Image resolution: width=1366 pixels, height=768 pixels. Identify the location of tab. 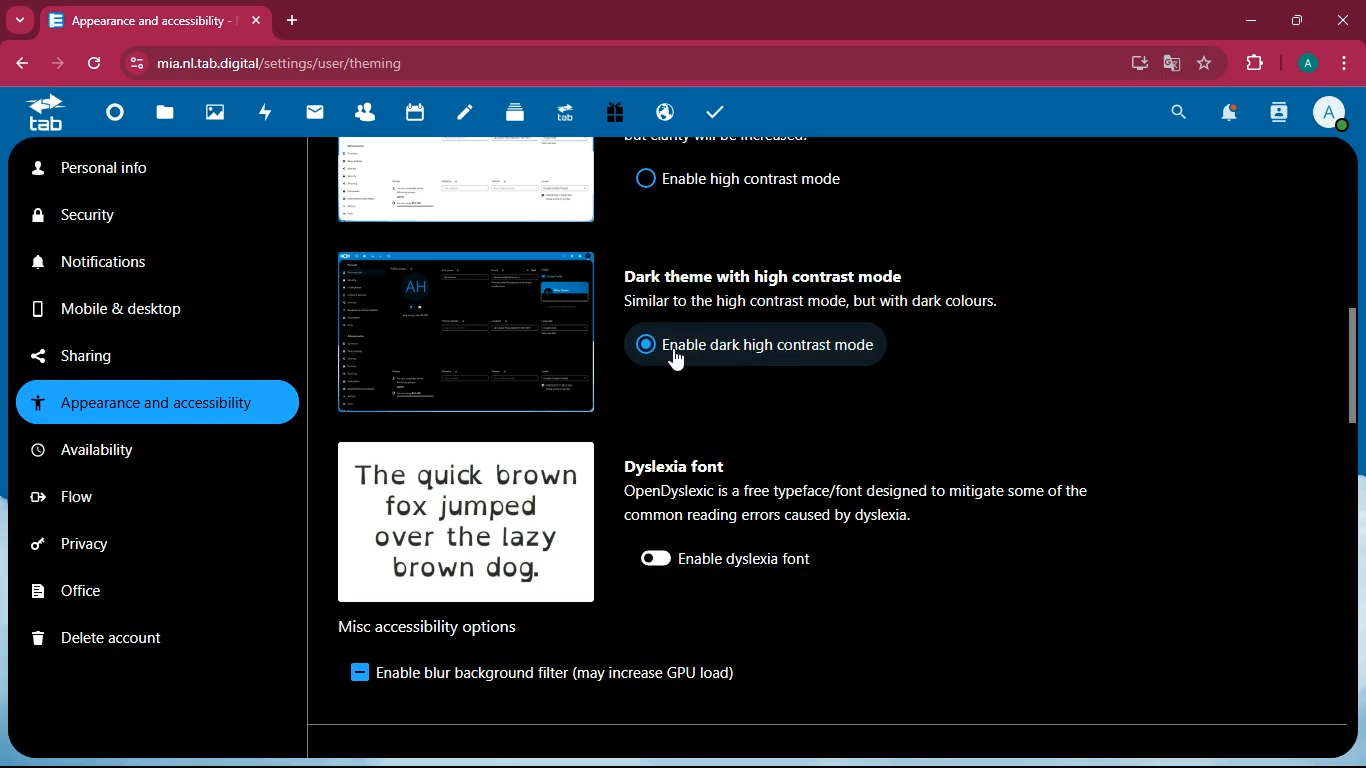
(140, 20).